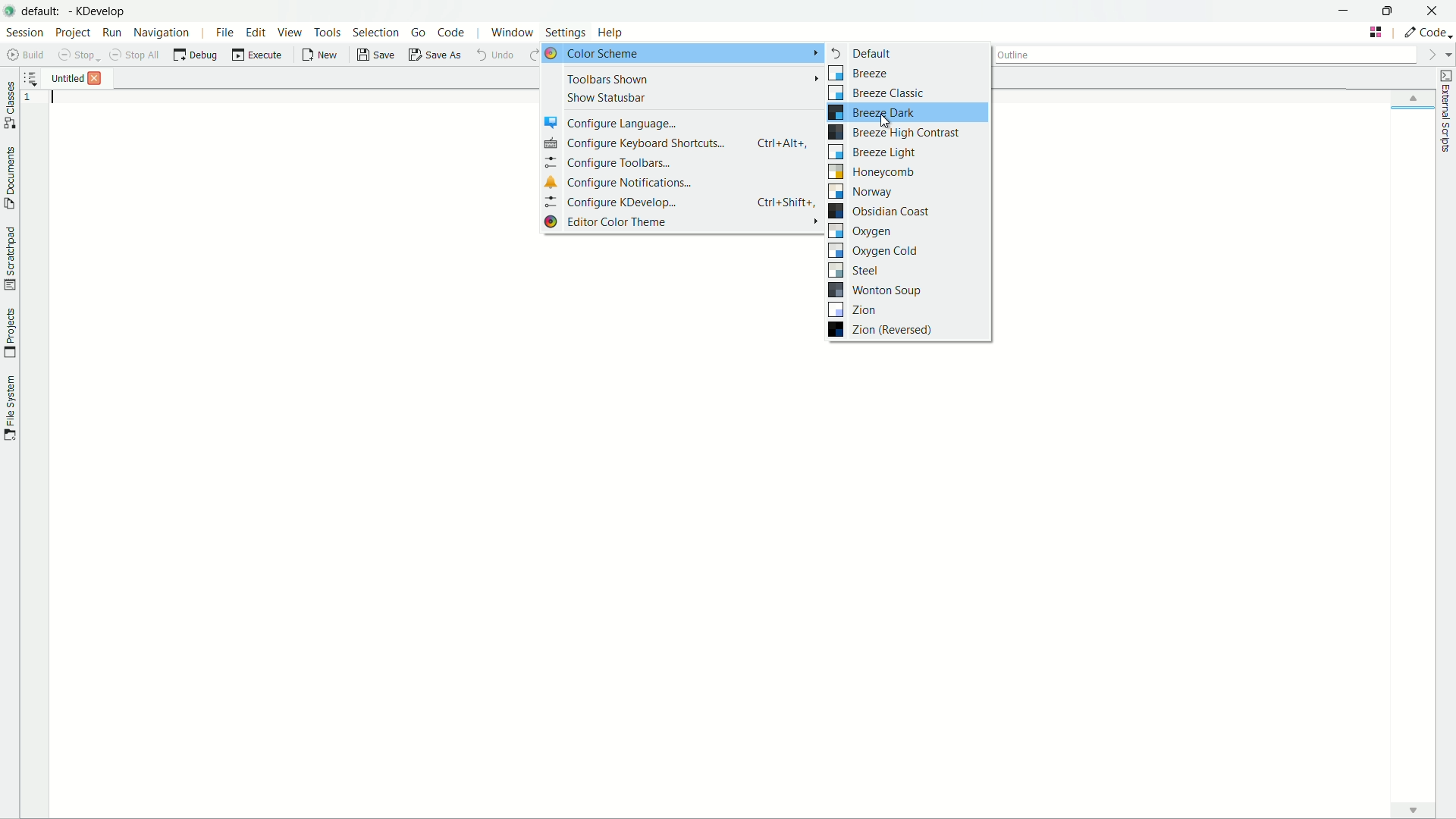 This screenshot has height=819, width=1456. What do you see at coordinates (435, 55) in the screenshot?
I see `save as` at bounding box center [435, 55].